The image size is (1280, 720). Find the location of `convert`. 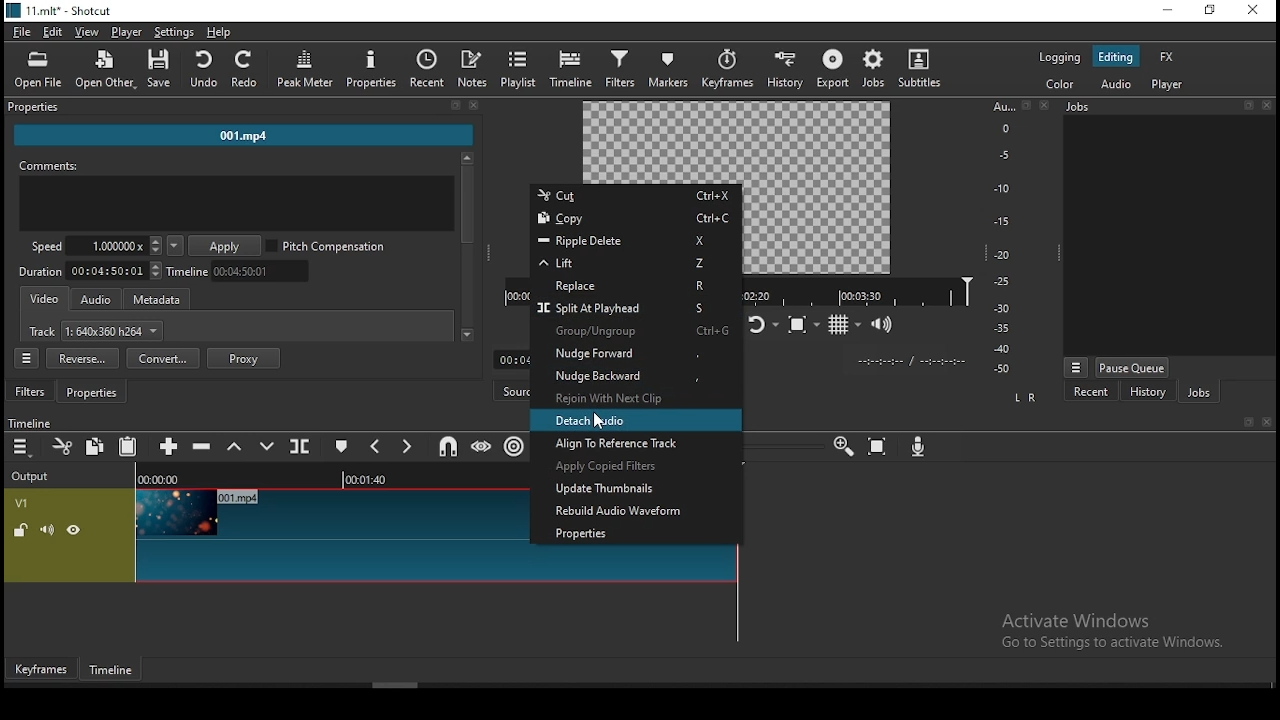

convert is located at coordinates (162, 357).